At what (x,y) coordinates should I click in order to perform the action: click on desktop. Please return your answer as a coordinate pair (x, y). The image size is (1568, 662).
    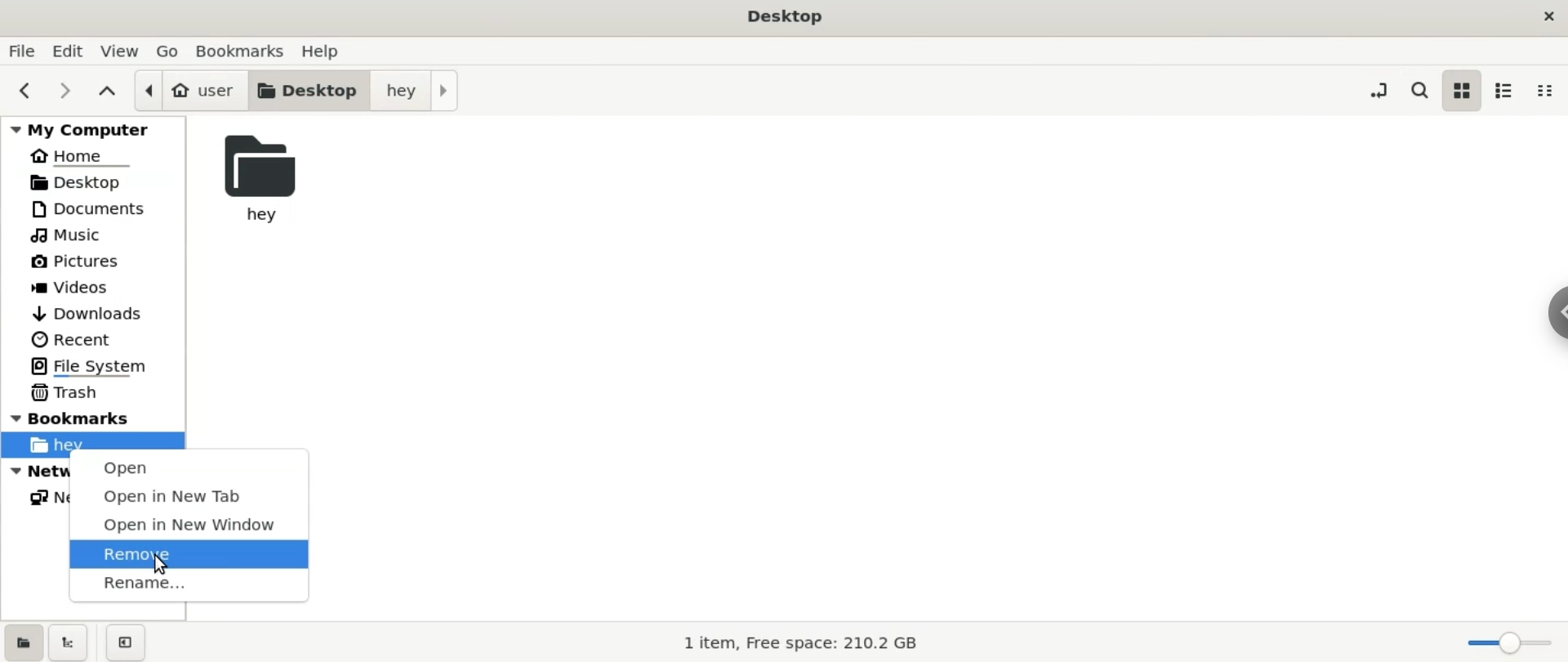
    Looking at the image, I should click on (790, 17).